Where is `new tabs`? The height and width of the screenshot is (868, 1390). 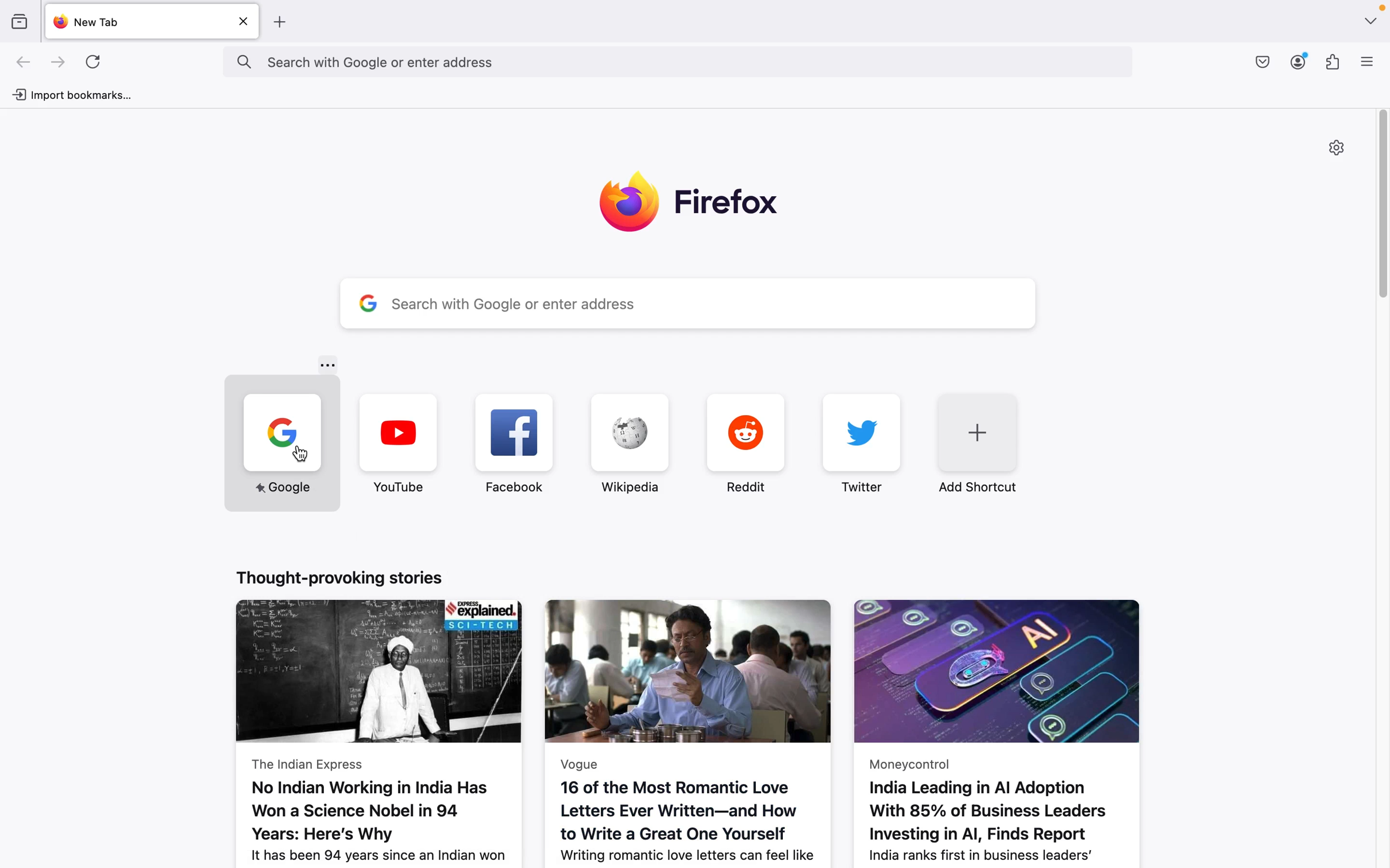 new tabs is located at coordinates (153, 22).